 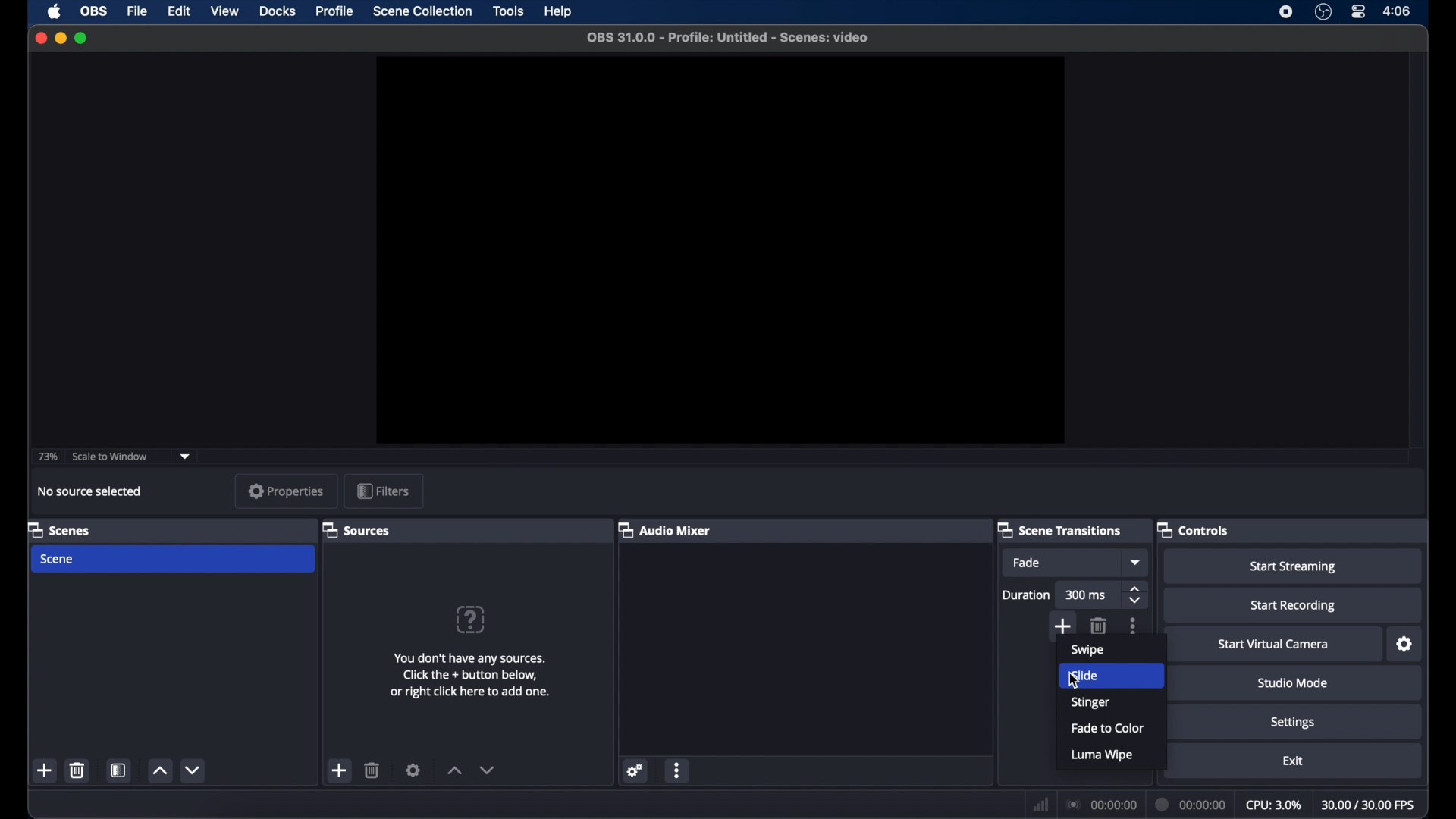 What do you see at coordinates (47, 457) in the screenshot?
I see `73%` at bounding box center [47, 457].